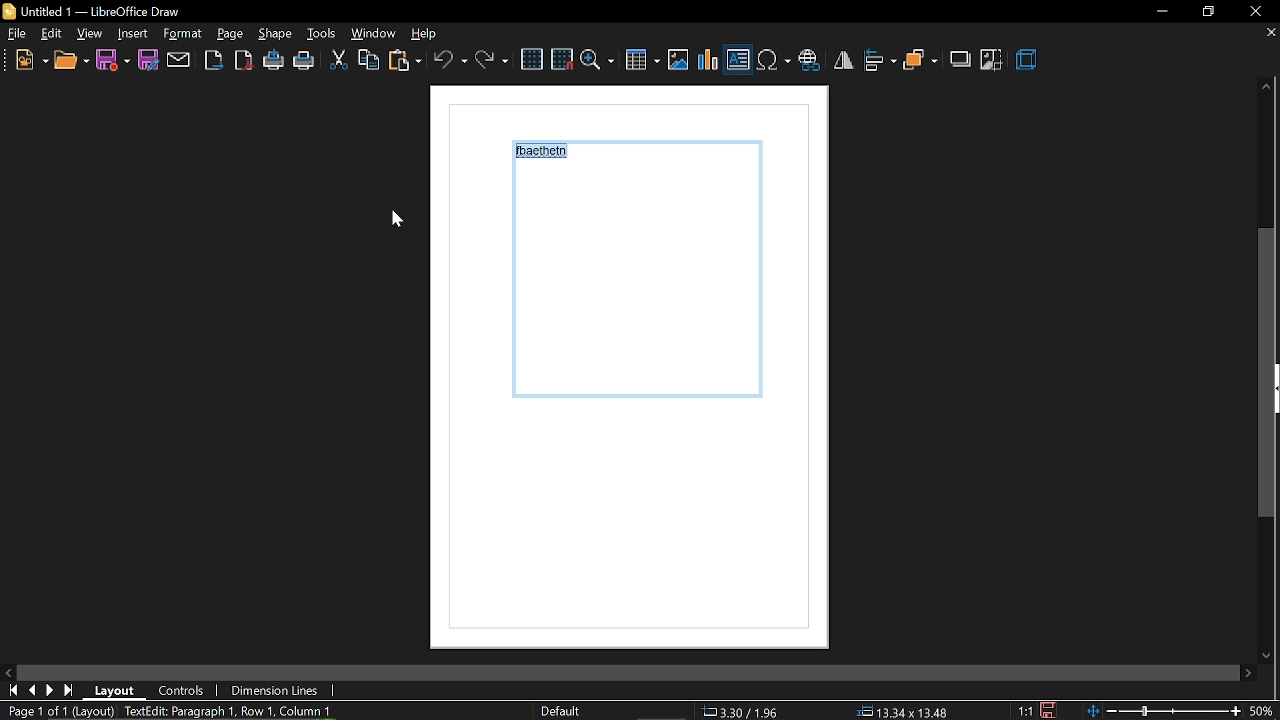 This screenshot has height=720, width=1280. Describe the element at coordinates (598, 59) in the screenshot. I see `zoom` at that location.